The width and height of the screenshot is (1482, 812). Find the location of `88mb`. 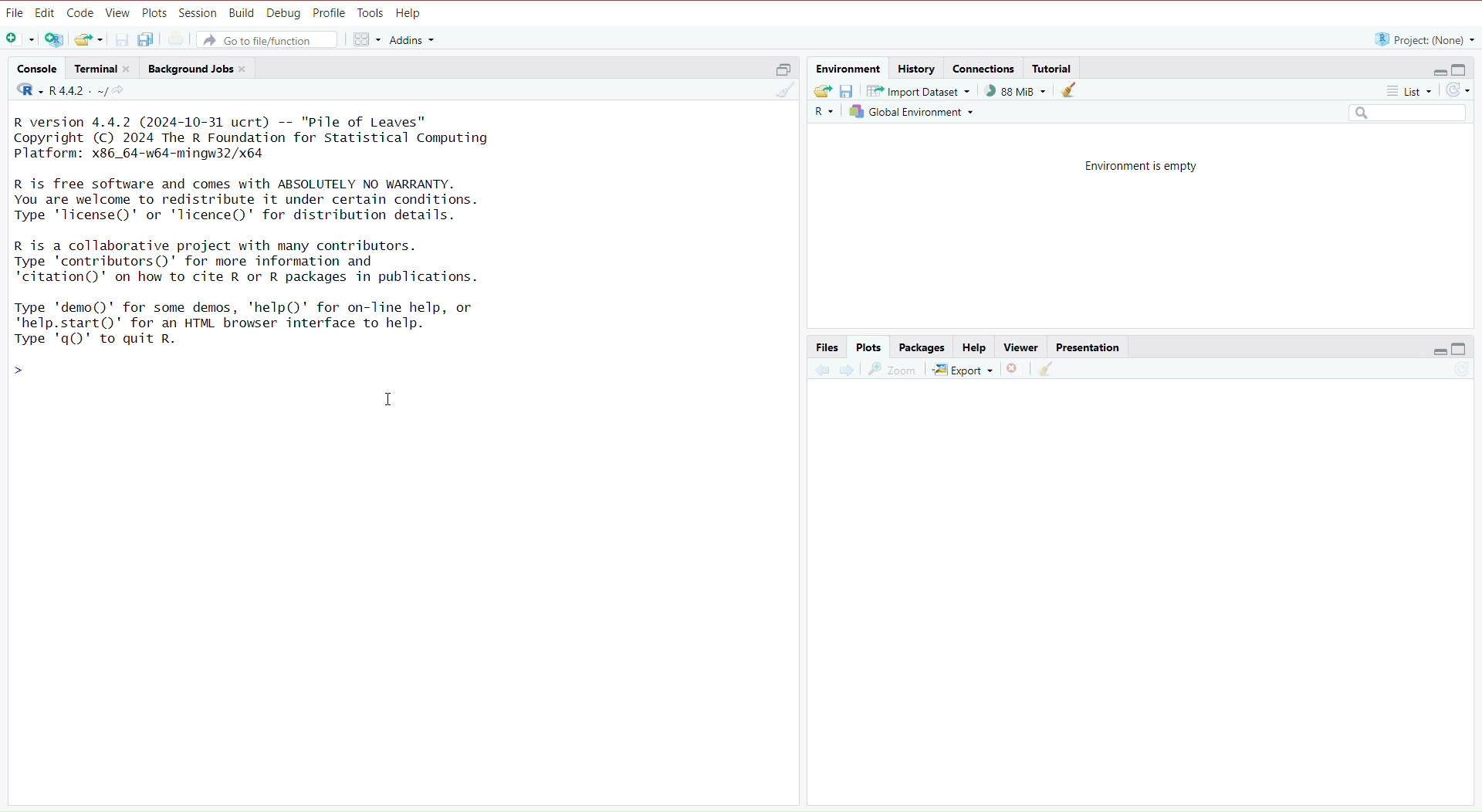

88mb is located at coordinates (1017, 91).